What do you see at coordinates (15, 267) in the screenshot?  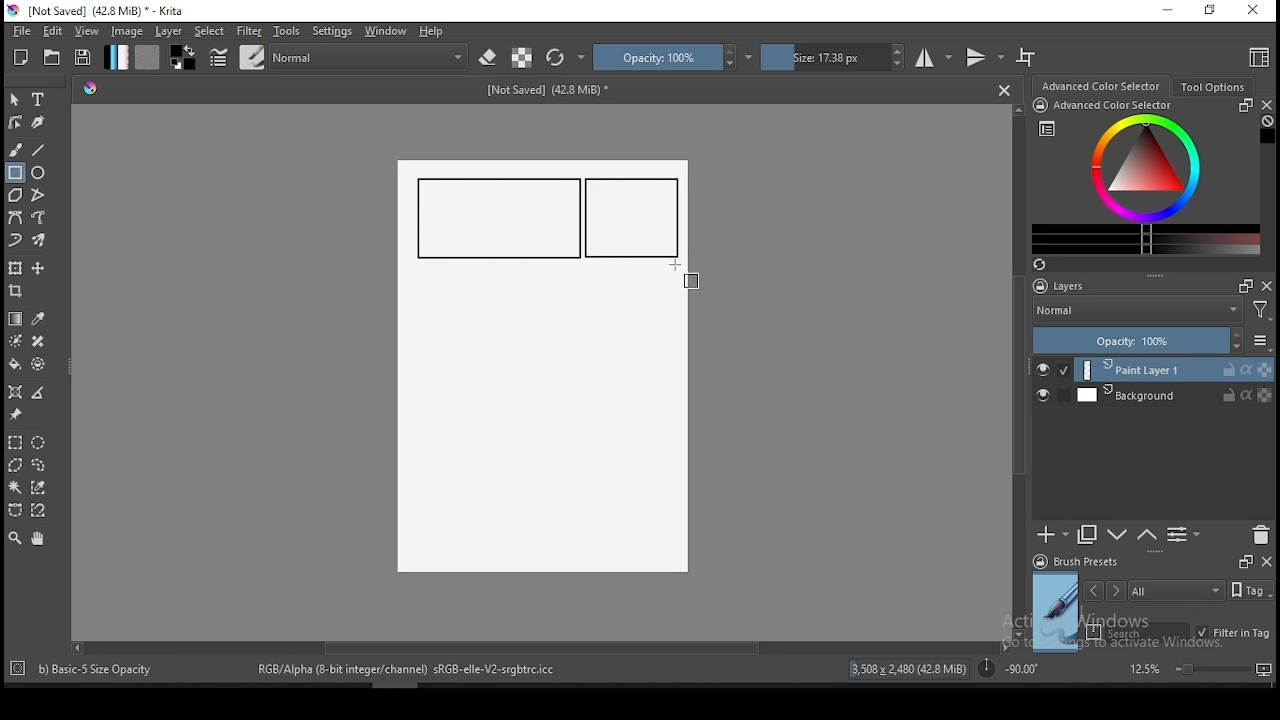 I see `transform a layer or a selection` at bounding box center [15, 267].